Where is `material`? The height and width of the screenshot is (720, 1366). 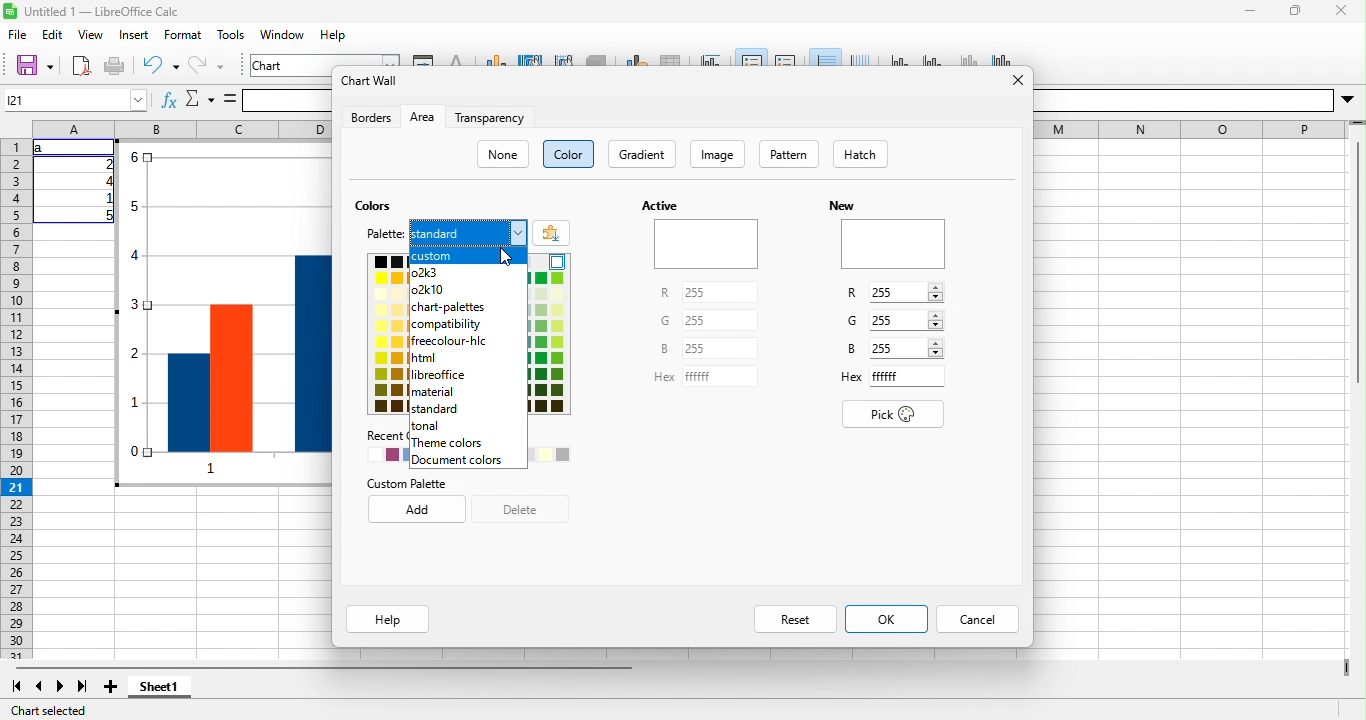
material is located at coordinates (468, 391).